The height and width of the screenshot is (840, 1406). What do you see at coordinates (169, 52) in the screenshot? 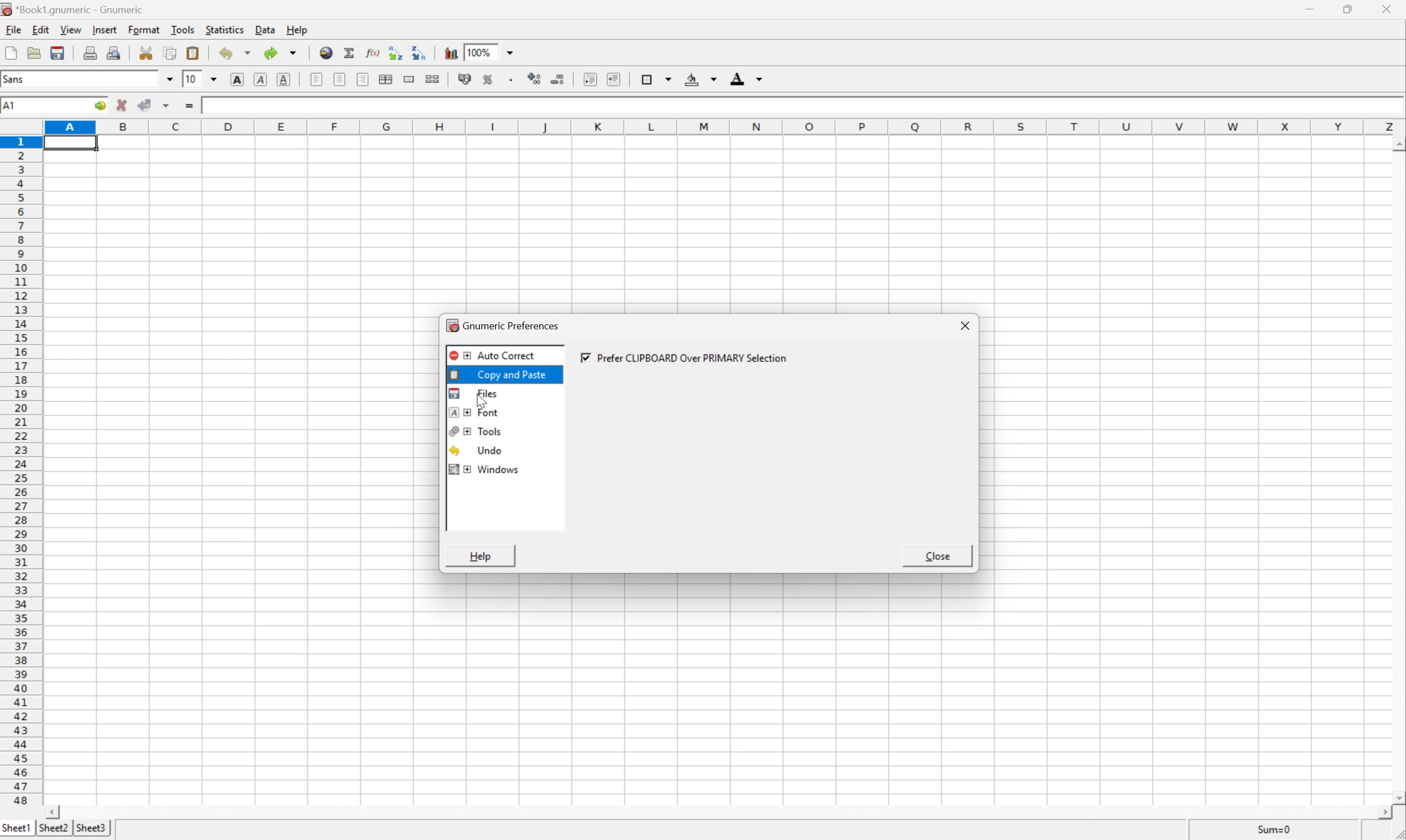
I see `copy` at bounding box center [169, 52].